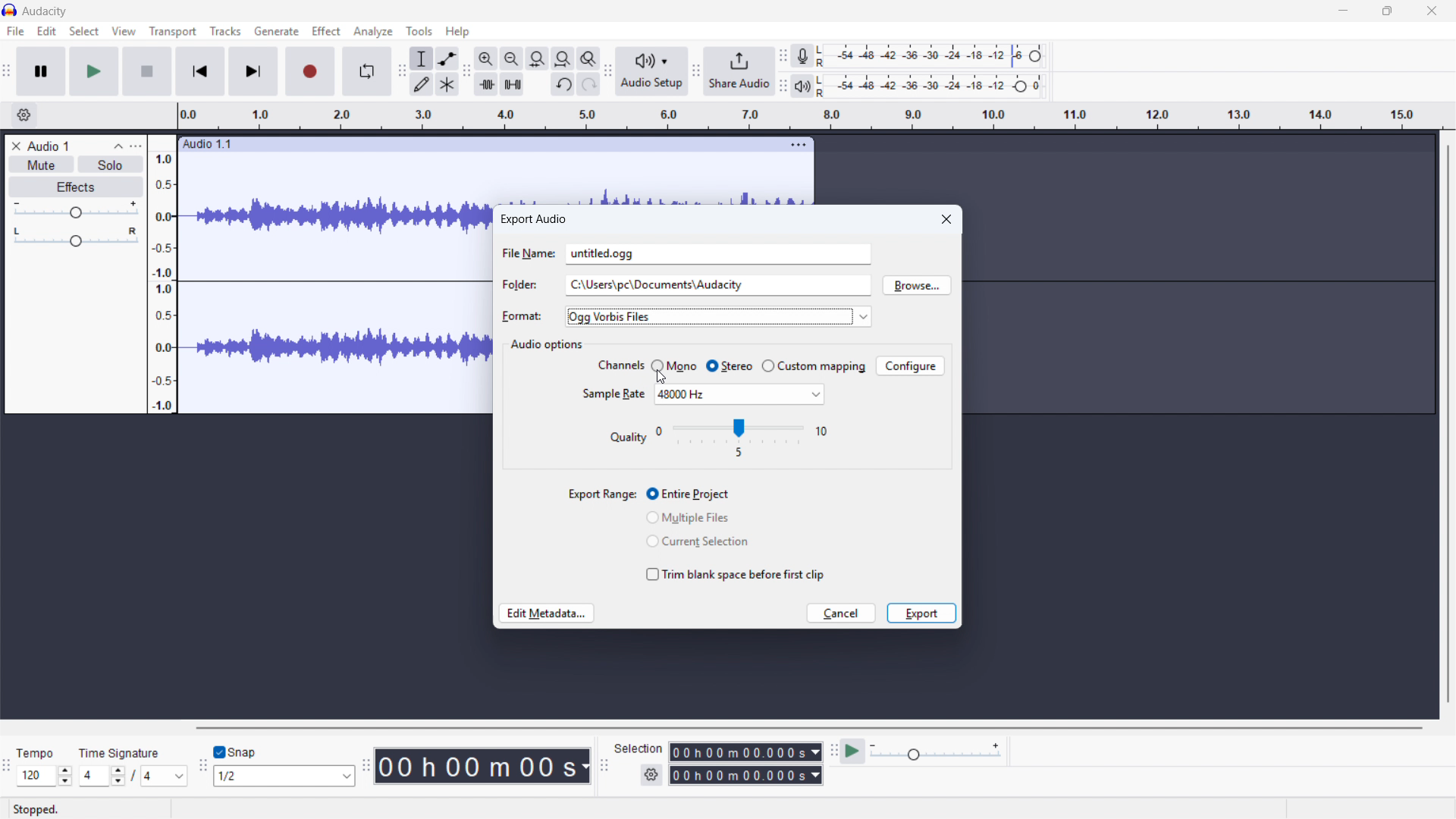 The image size is (1456, 819). Describe the element at coordinates (814, 366) in the screenshot. I see `Custom mapping ` at that location.